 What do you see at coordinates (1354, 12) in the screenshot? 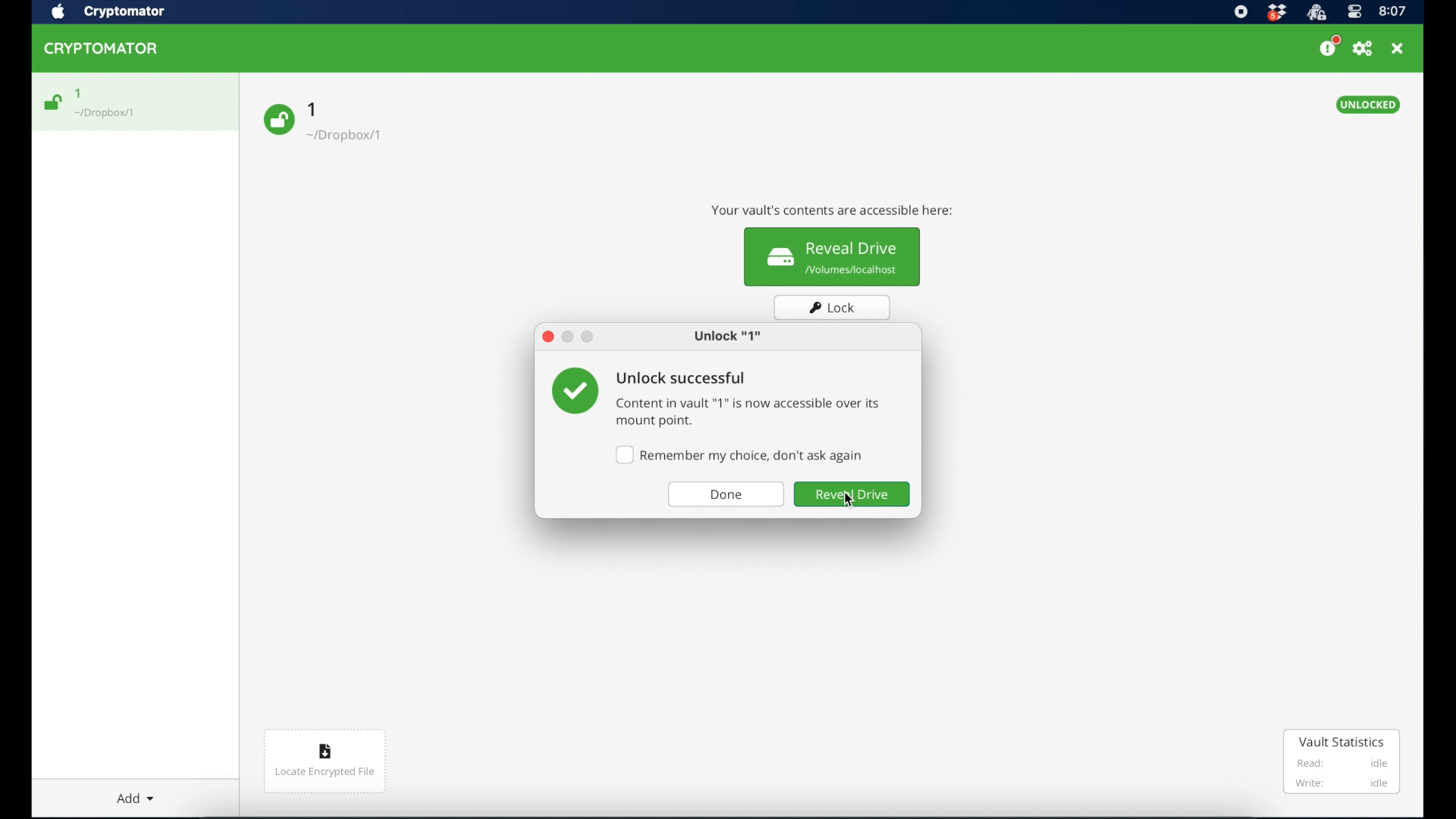
I see `control center` at bounding box center [1354, 12].